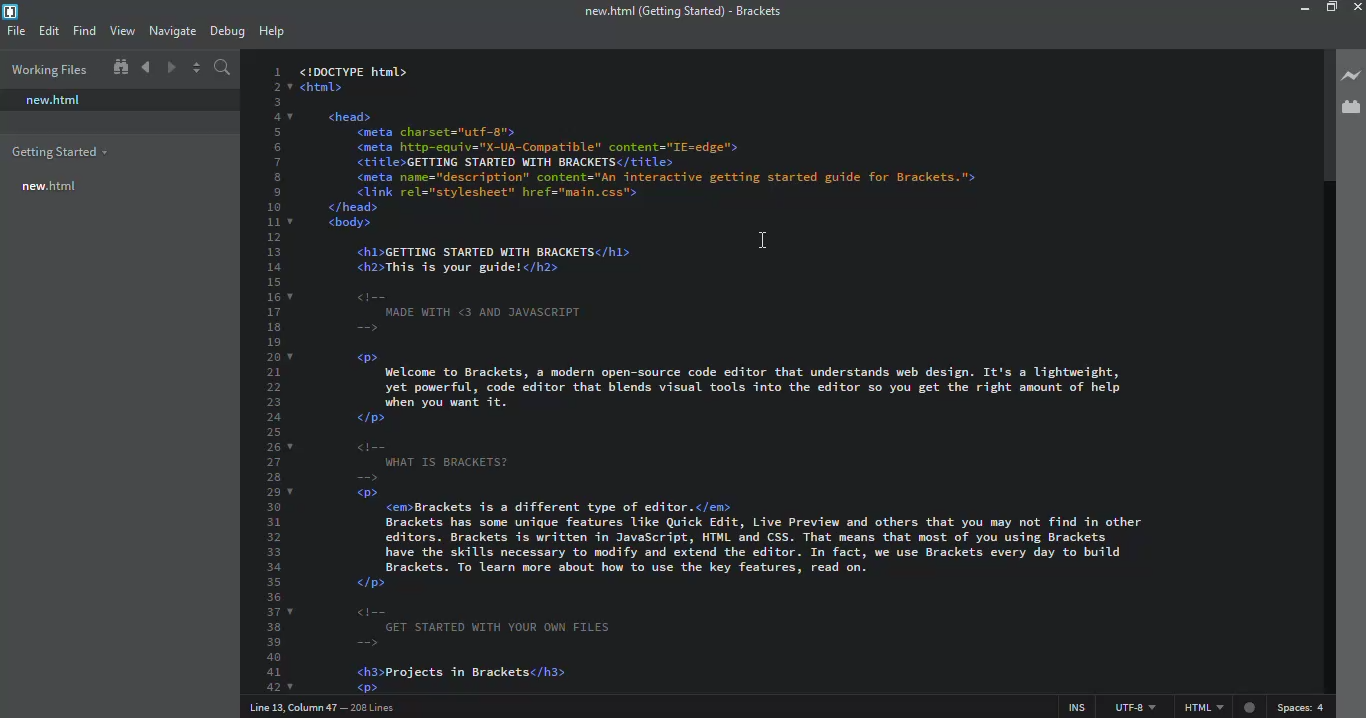 This screenshot has height=718, width=1366. Describe the element at coordinates (17, 30) in the screenshot. I see `file` at that location.